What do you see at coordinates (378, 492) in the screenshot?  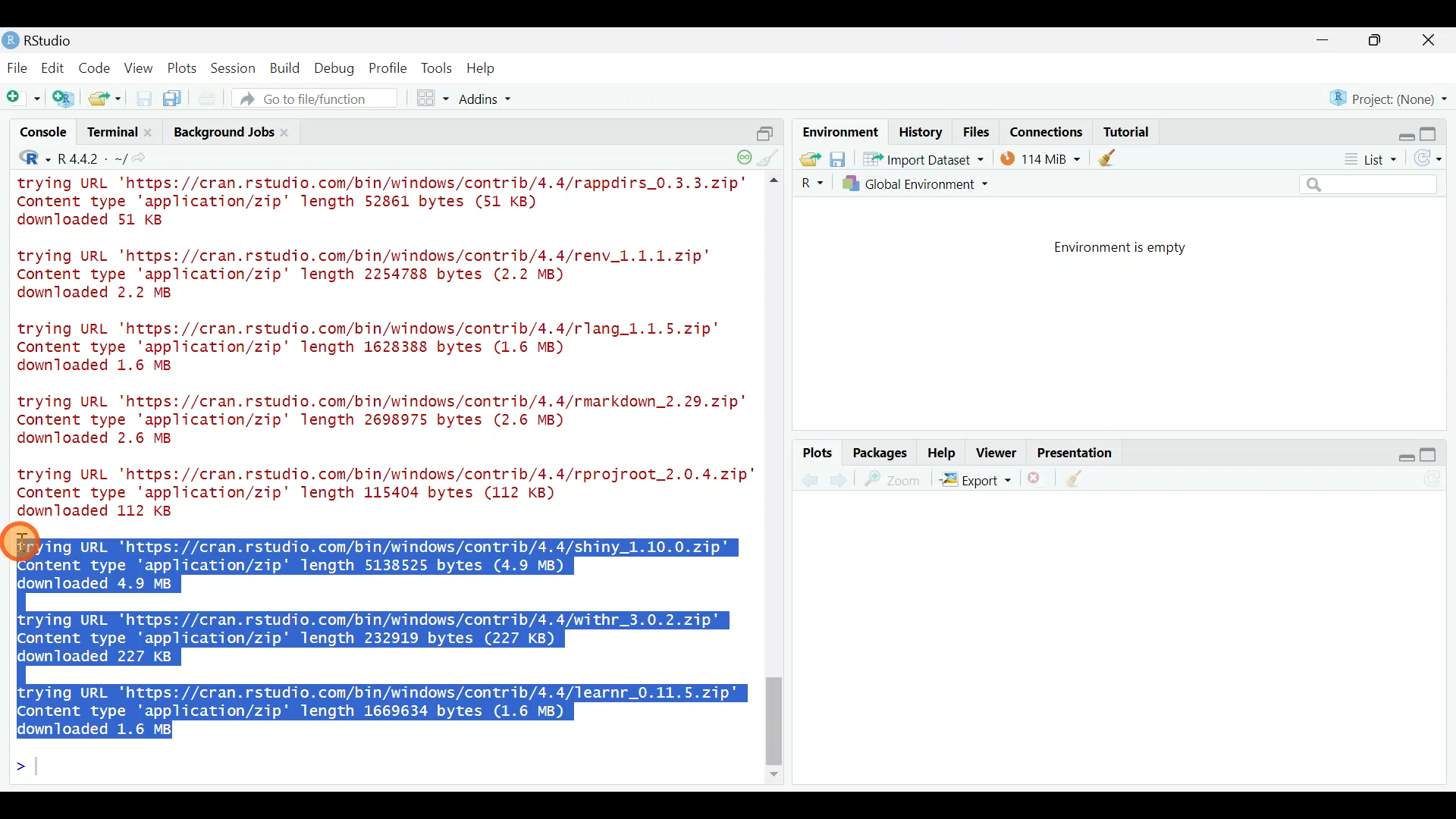 I see `trying URL 'https://cran.rstudio.com/bin/windows/contrib/4.4/rprojroot_2.0.4.zip"
Content type 'application/zip' length 115404 bytes (112 KB)
downloaded 112 KB` at bounding box center [378, 492].